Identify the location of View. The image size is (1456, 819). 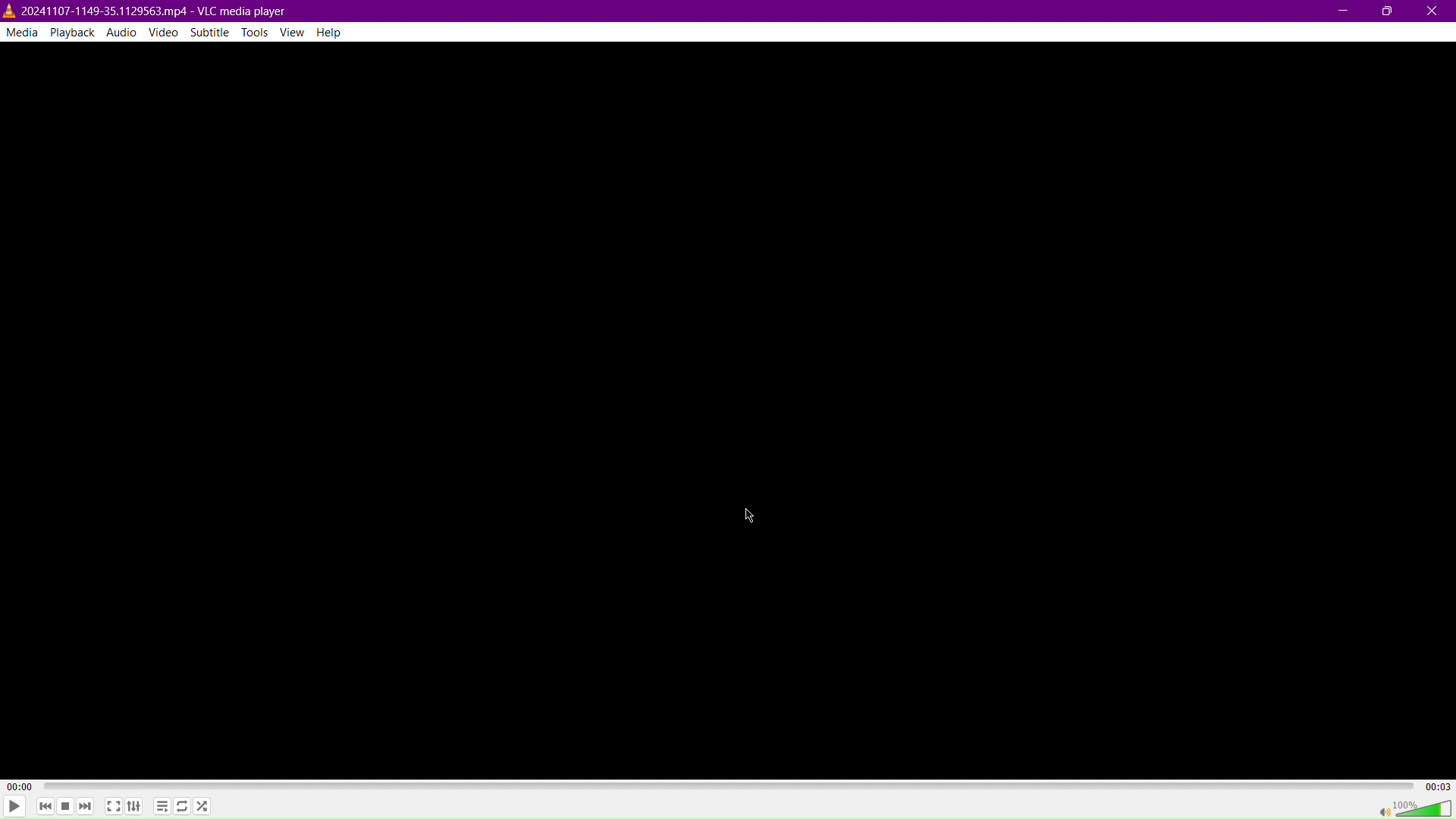
(297, 32).